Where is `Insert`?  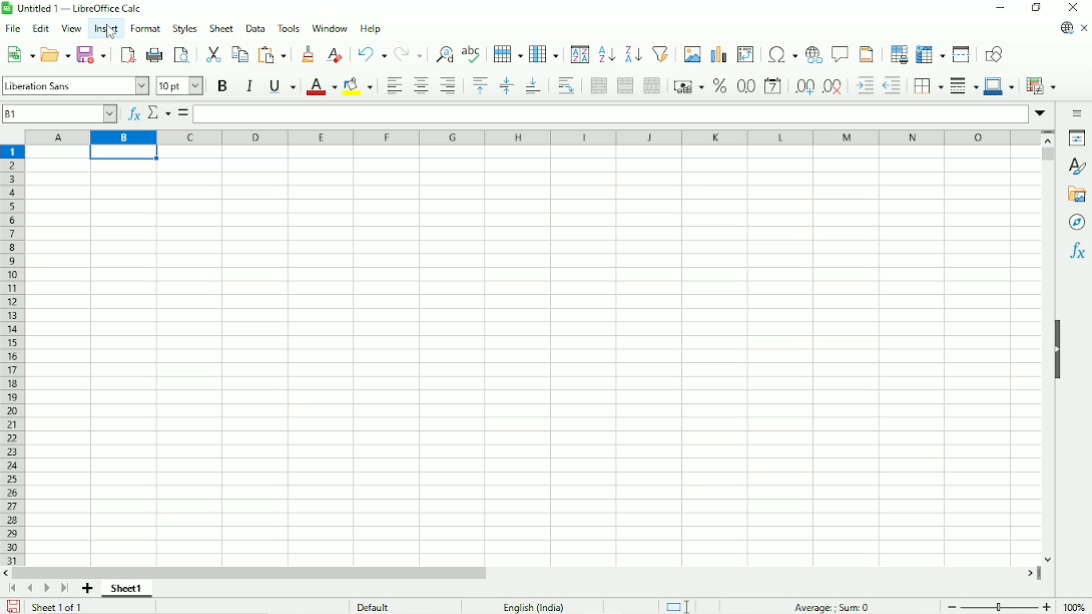
Insert is located at coordinates (105, 29).